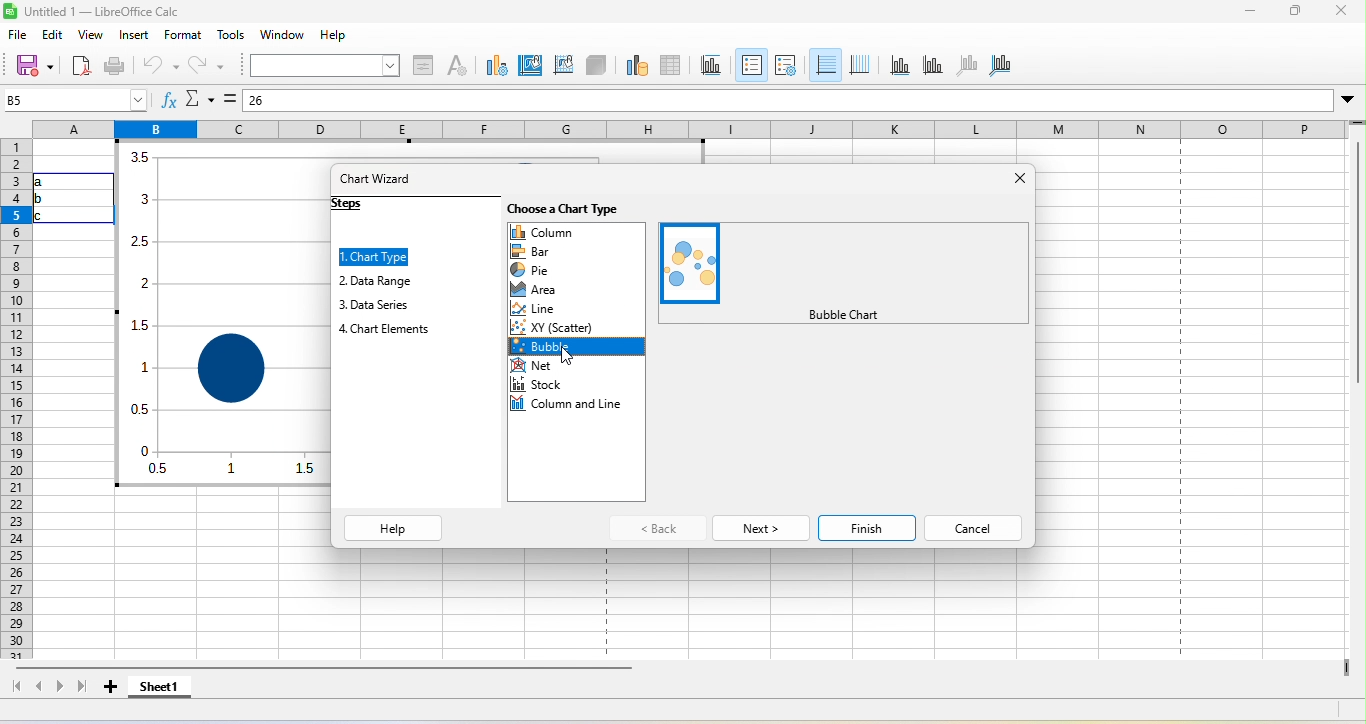 This screenshot has height=724, width=1366. What do you see at coordinates (94, 39) in the screenshot?
I see `view` at bounding box center [94, 39].